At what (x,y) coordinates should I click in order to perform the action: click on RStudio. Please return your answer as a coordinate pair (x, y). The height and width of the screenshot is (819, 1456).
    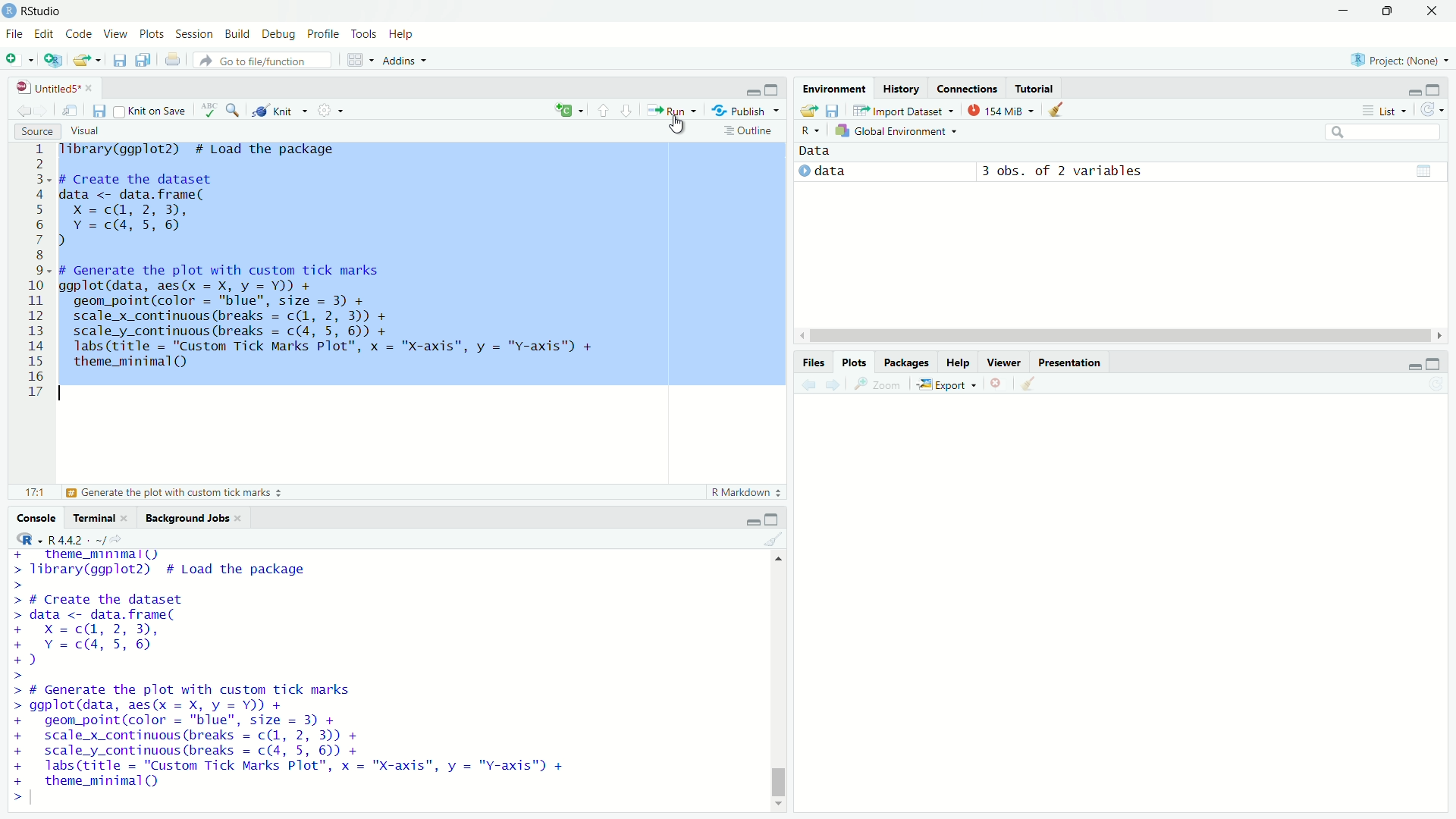
    Looking at the image, I should click on (44, 11).